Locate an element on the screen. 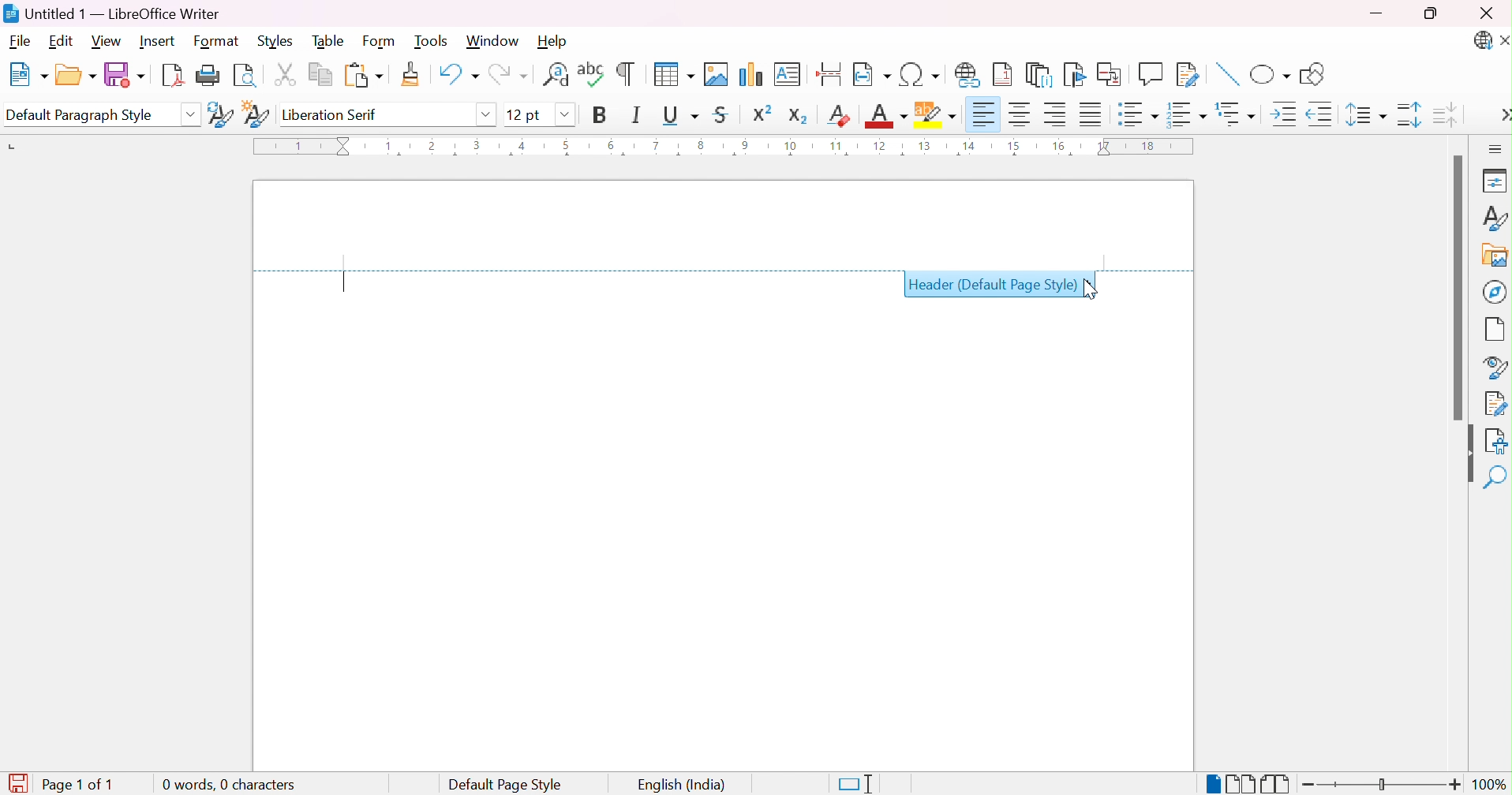  Basic shapes is located at coordinates (1271, 76).